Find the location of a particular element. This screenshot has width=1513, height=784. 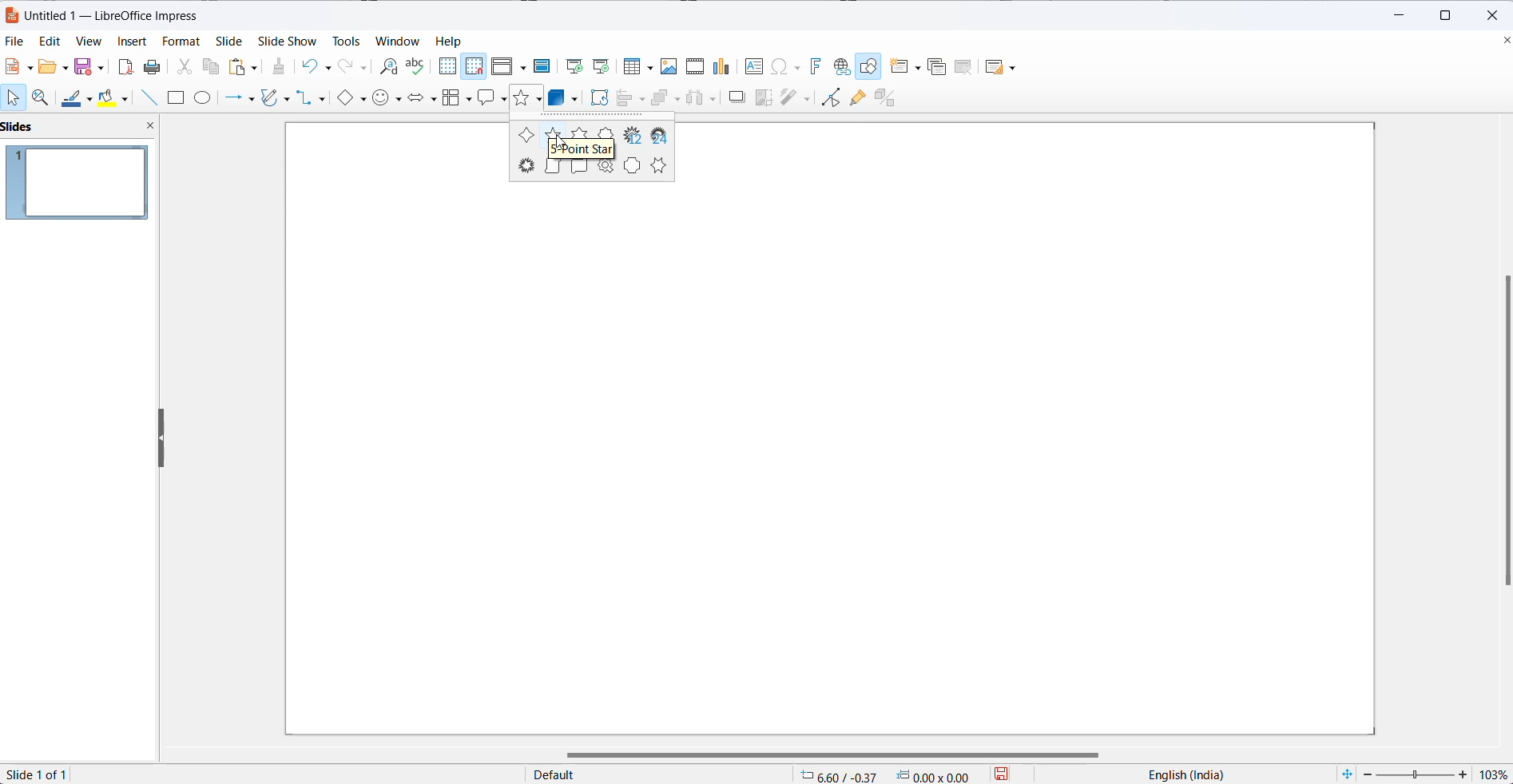

resize is located at coordinates (162, 439).